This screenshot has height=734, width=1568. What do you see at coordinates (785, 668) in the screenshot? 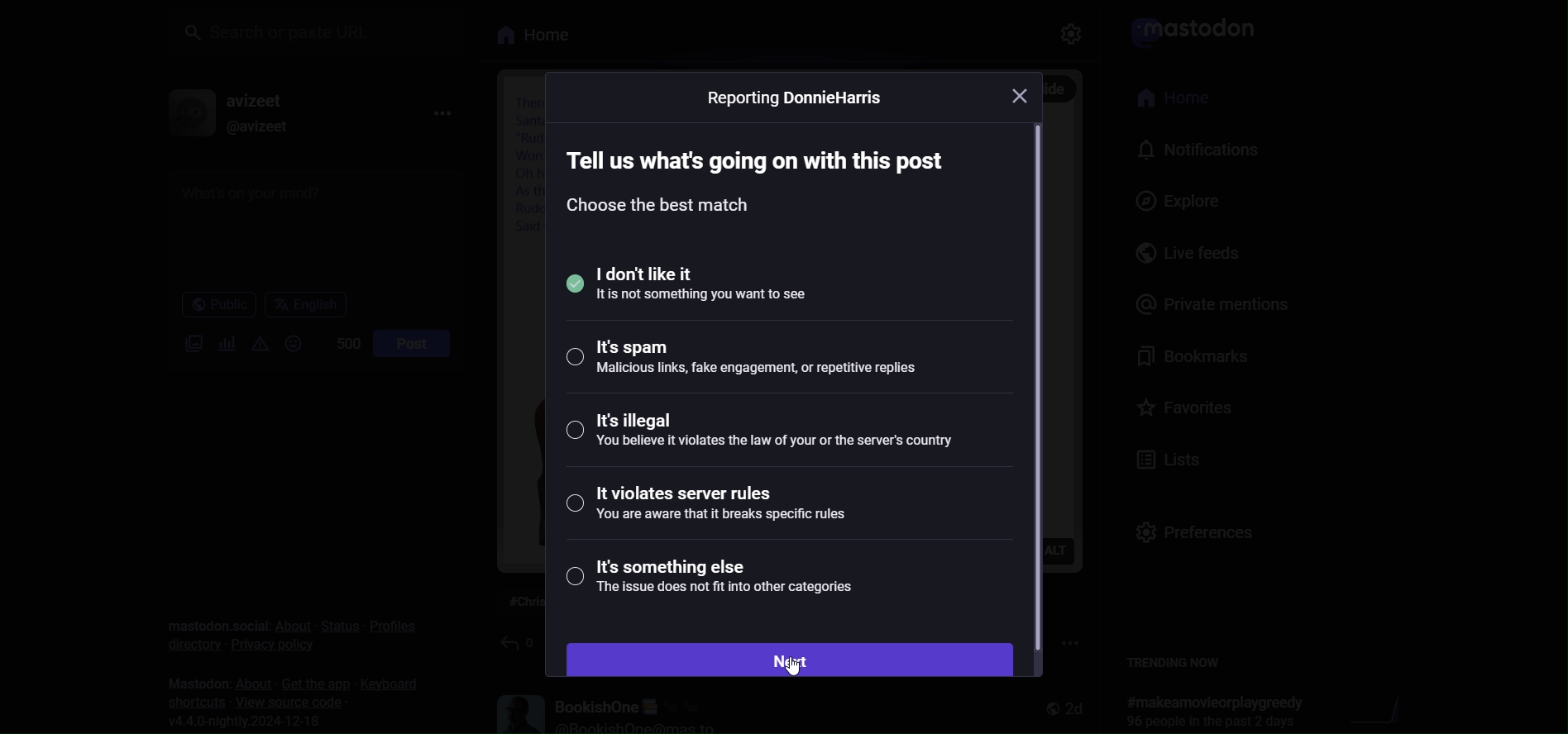
I see `cursor` at bounding box center [785, 668].